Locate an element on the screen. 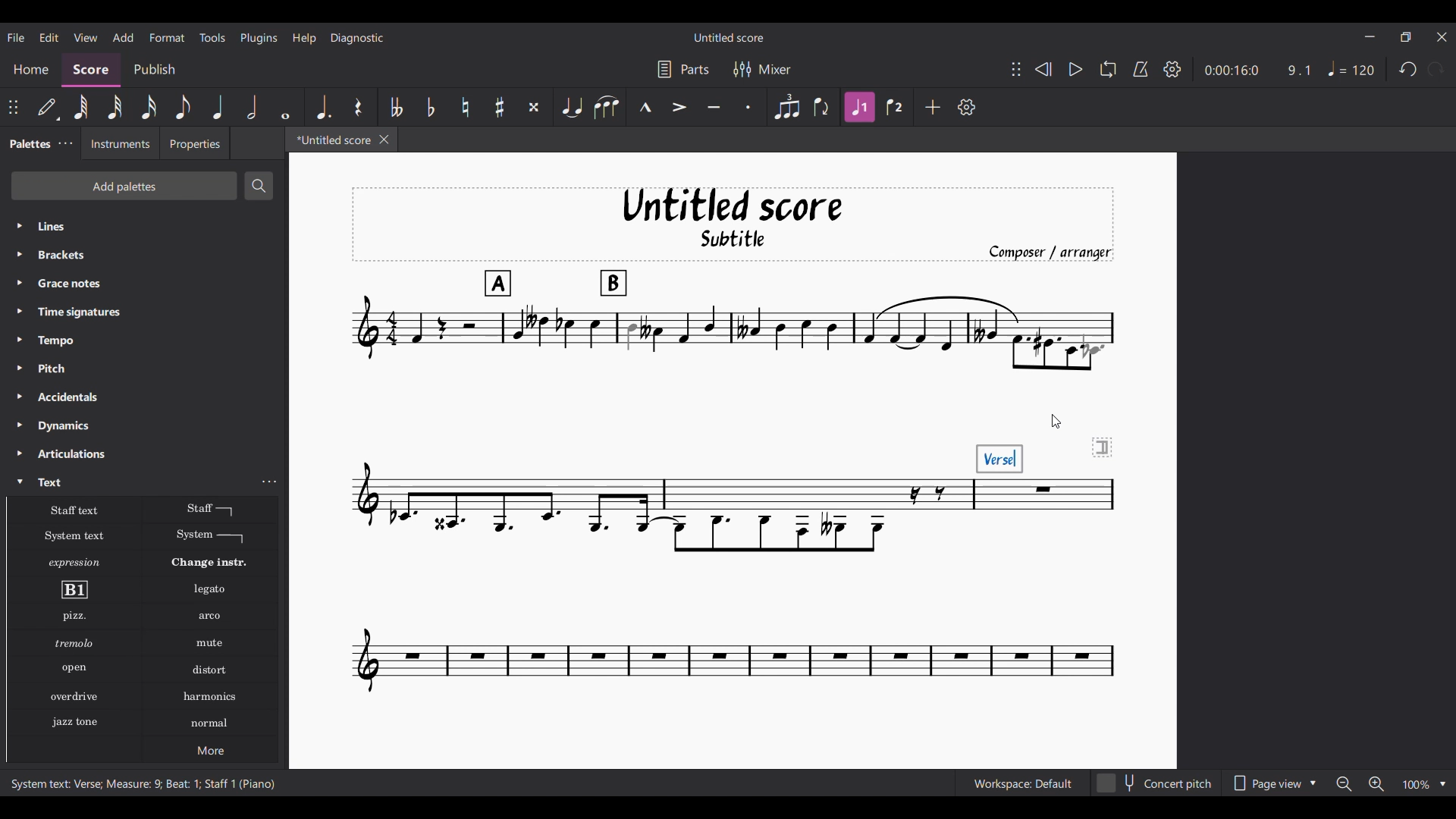 Image resolution: width=1456 pixels, height=819 pixels. Add menu is located at coordinates (124, 37).